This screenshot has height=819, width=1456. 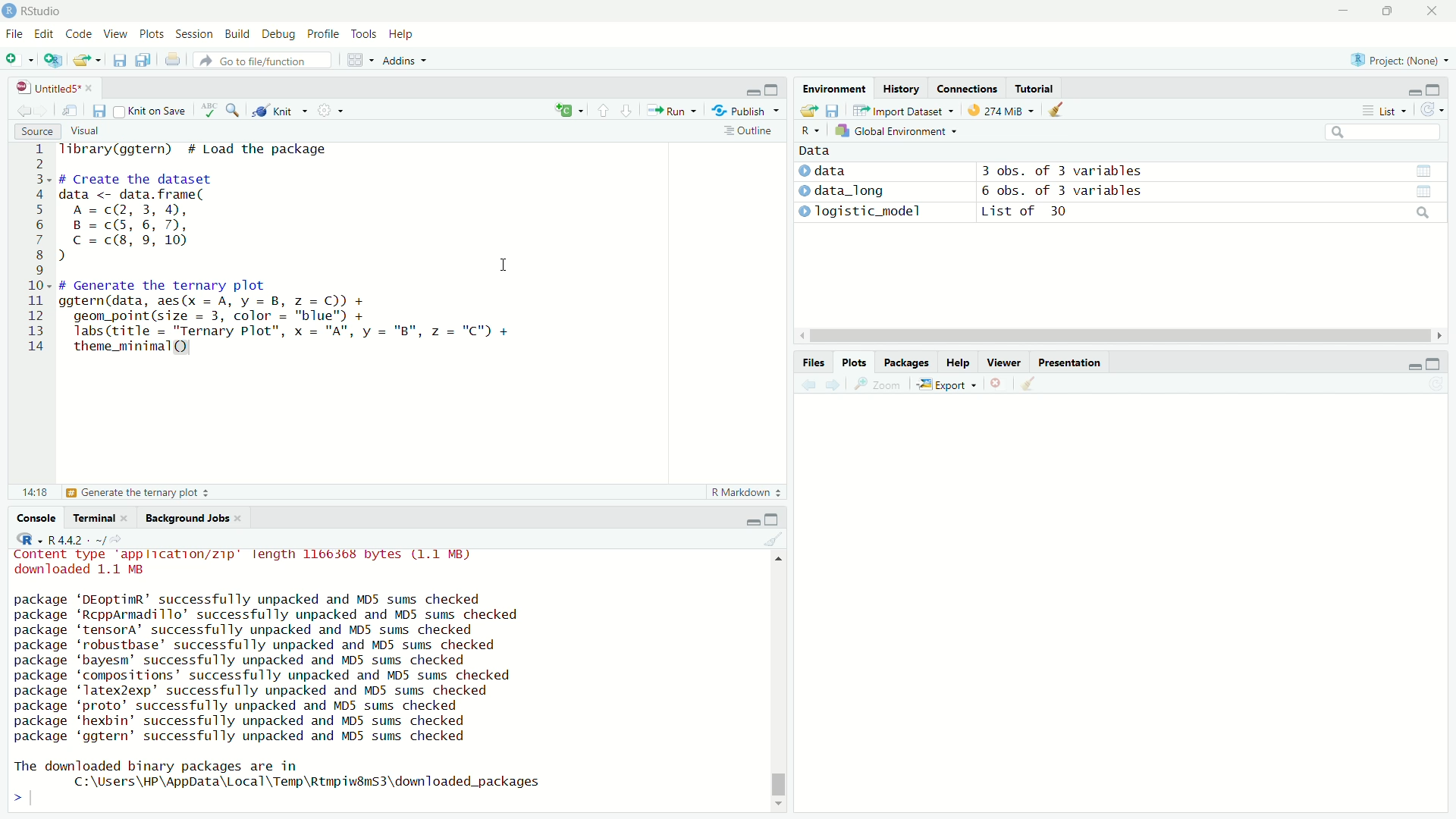 What do you see at coordinates (746, 132) in the screenshot?
I see `: Outline` at bounding box center [746, 132].